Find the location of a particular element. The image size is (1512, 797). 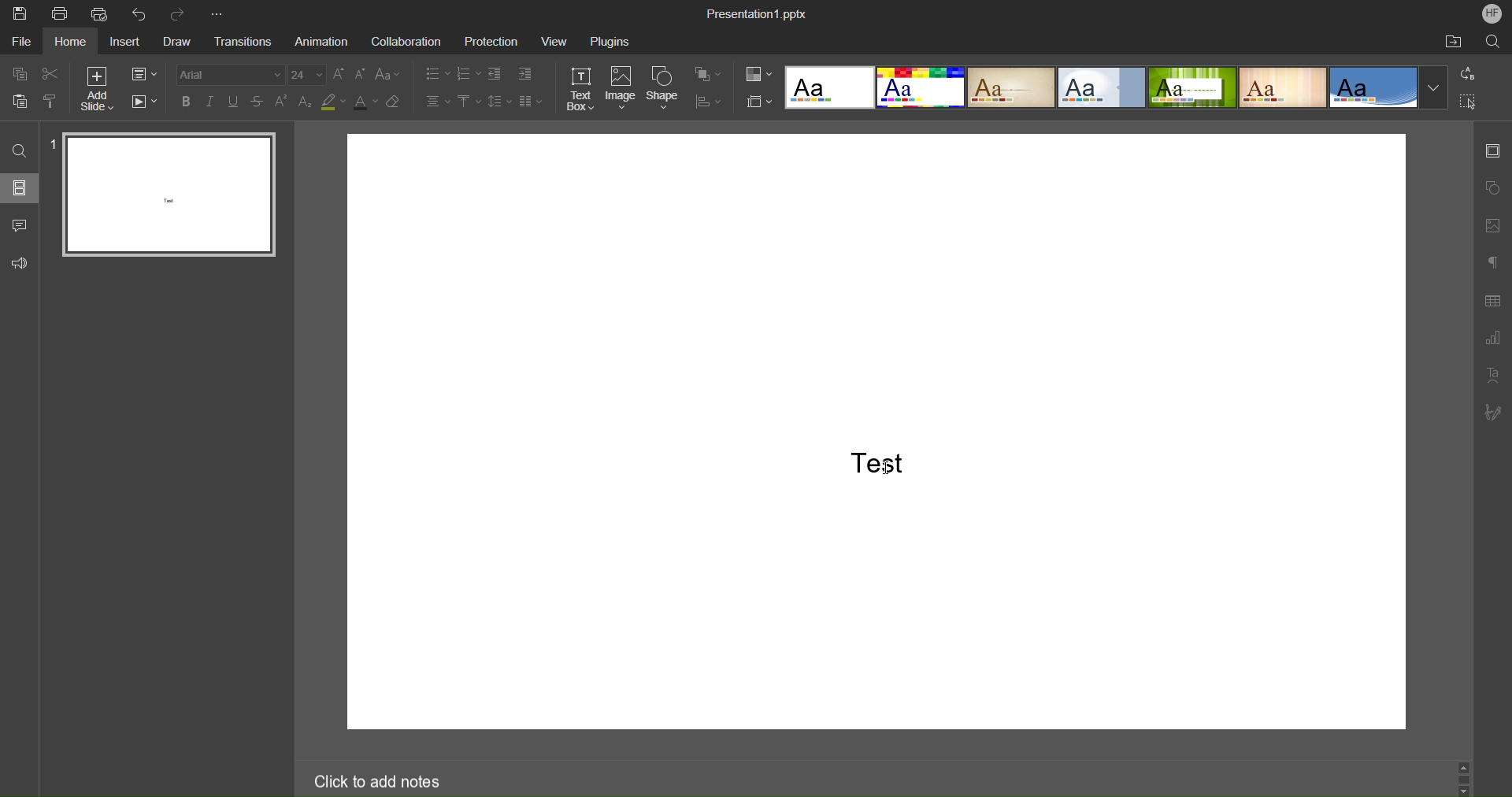

Erase Style is located at coordinates (395, 102).